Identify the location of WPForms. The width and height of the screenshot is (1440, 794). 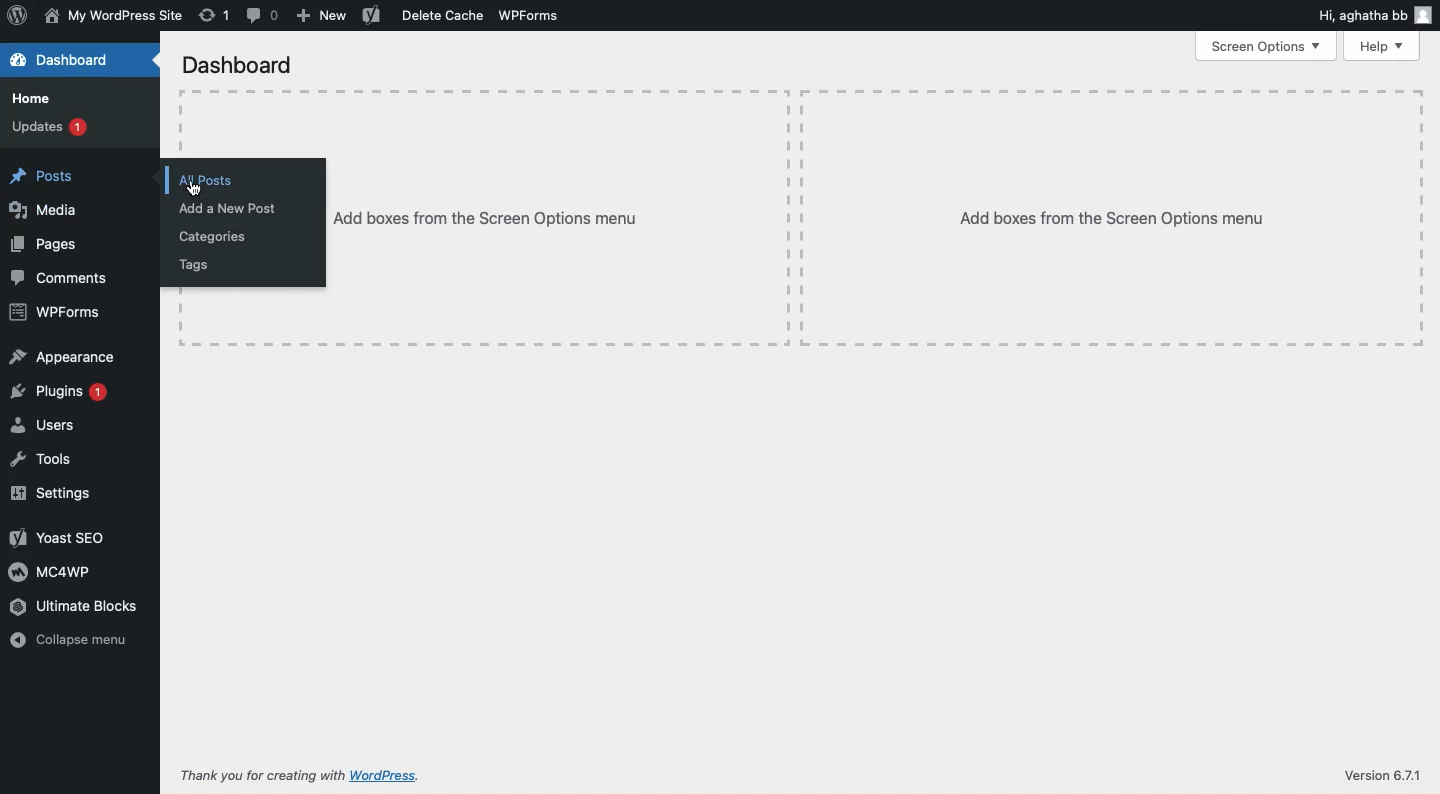
(532, 14).